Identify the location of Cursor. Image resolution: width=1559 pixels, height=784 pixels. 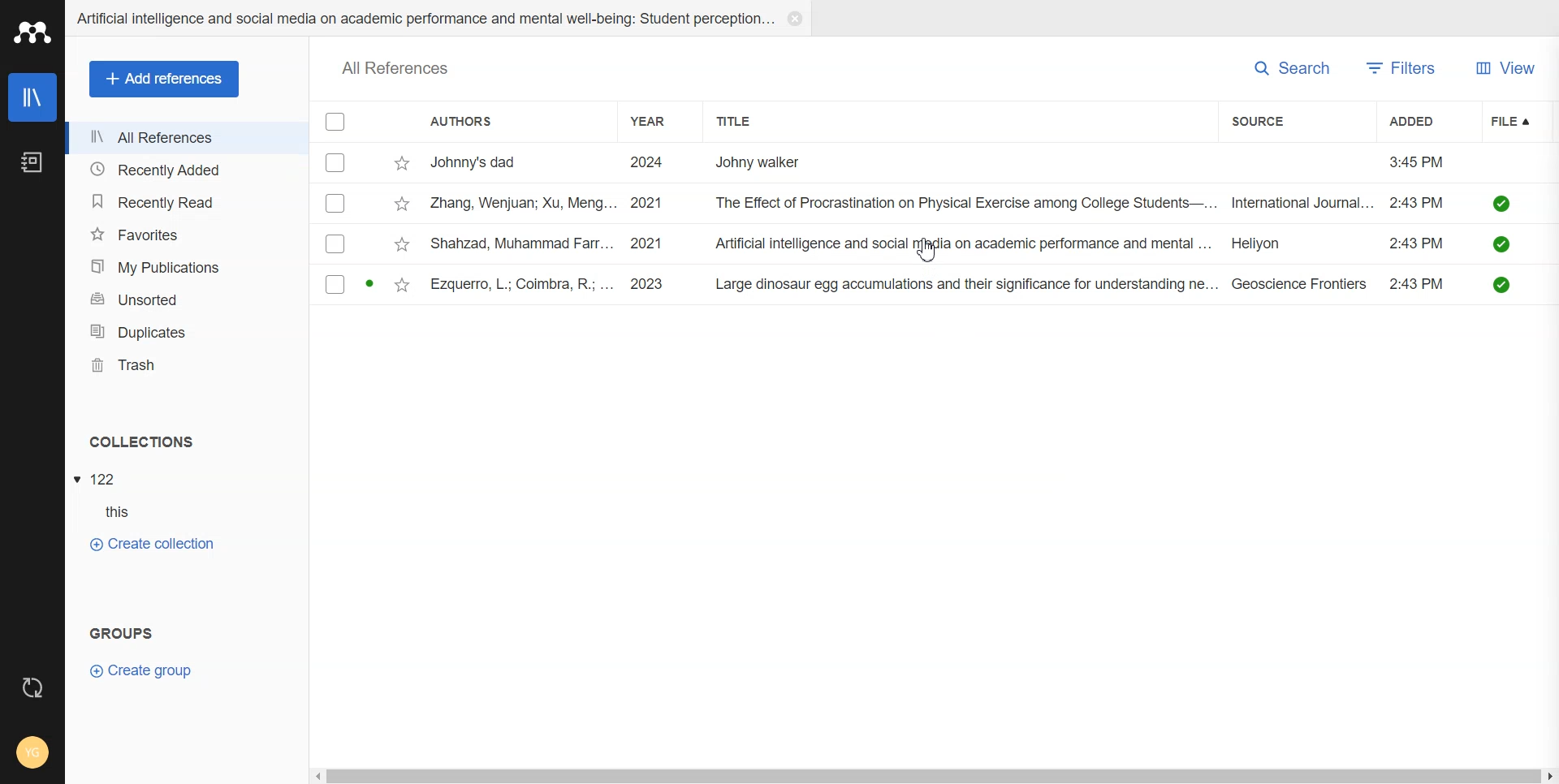
(929, 248).